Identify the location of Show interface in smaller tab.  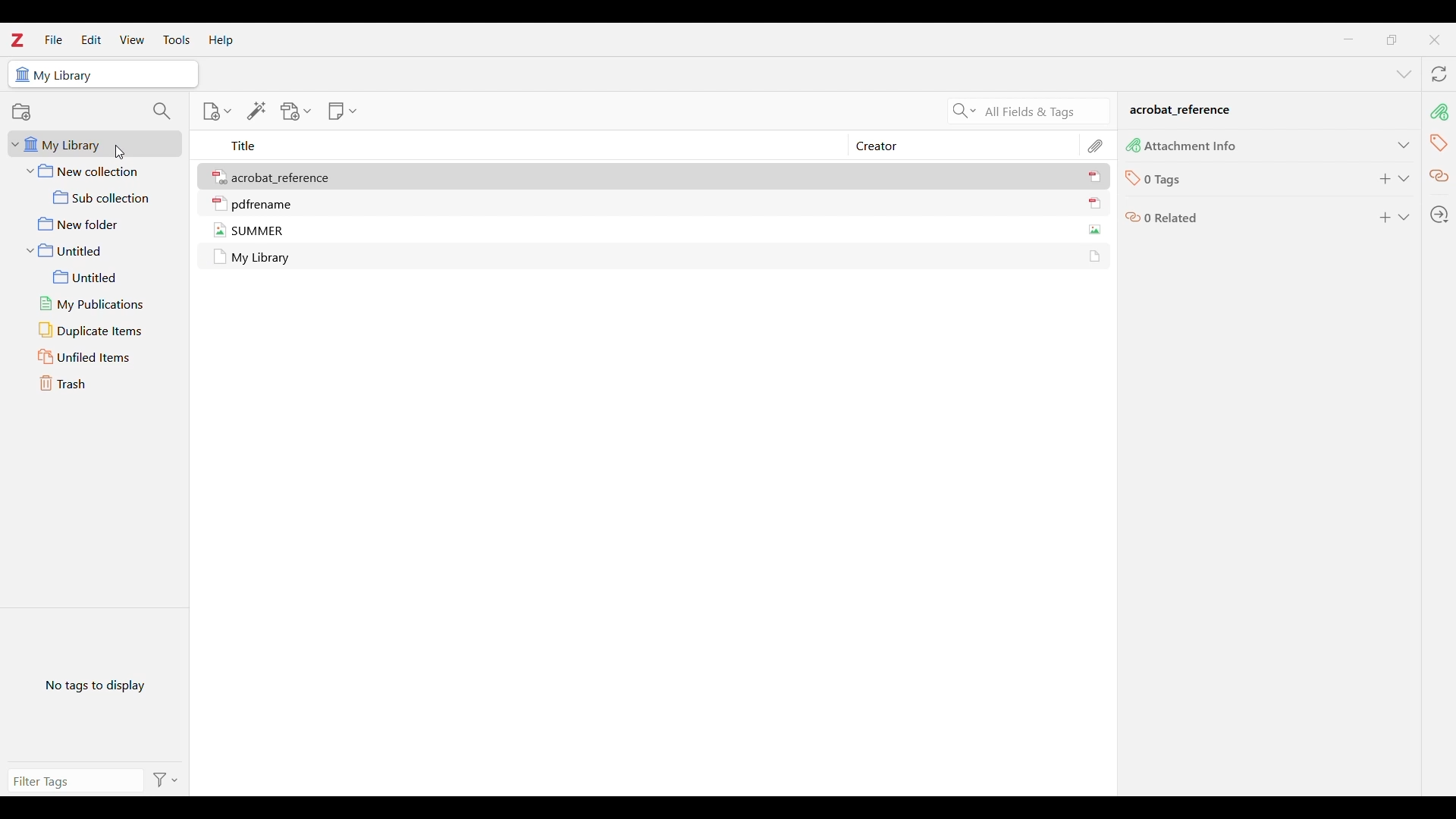
(1392, 40).